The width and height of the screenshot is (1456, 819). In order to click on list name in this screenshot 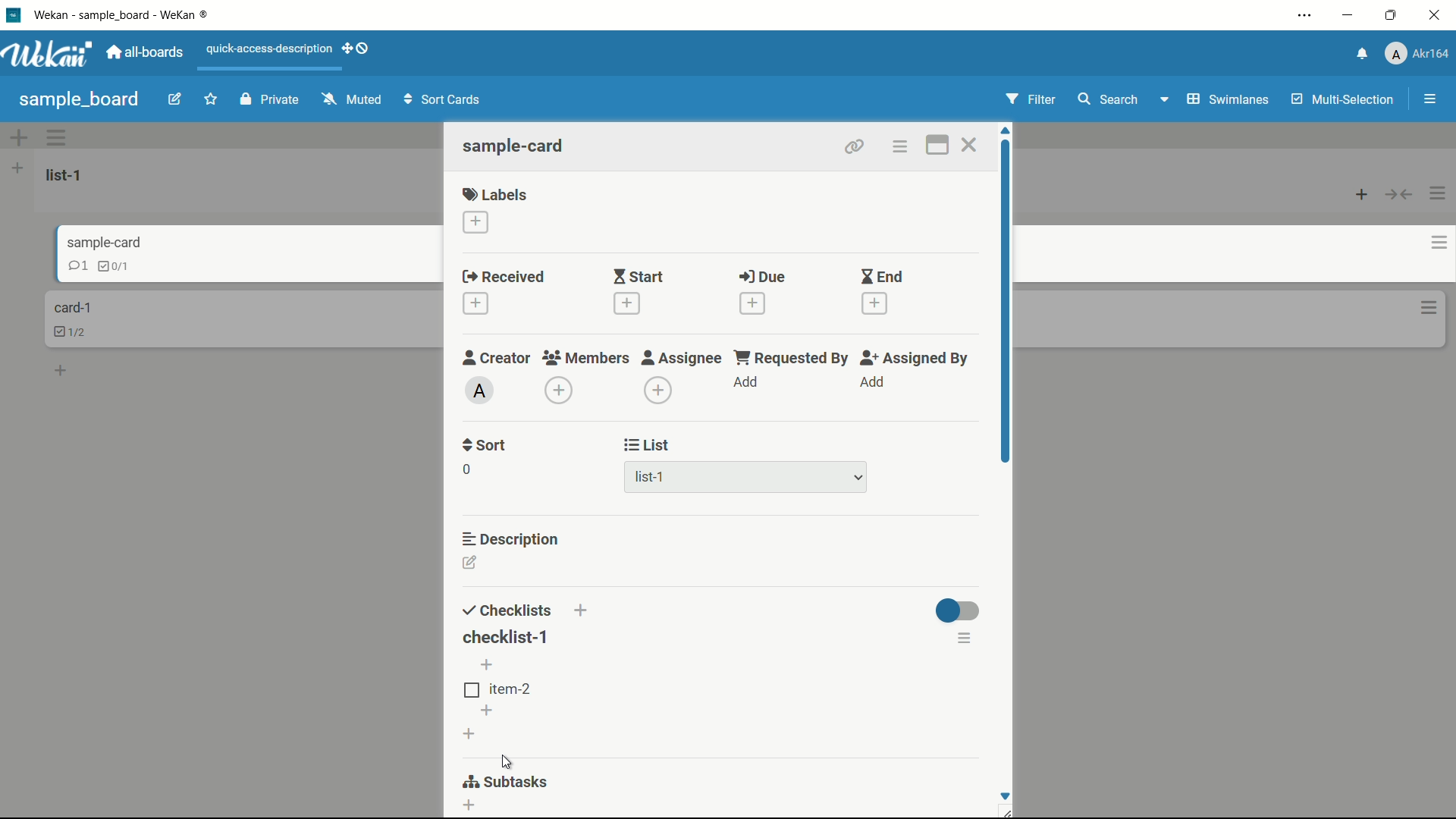, I will do `click(67, 175)`.